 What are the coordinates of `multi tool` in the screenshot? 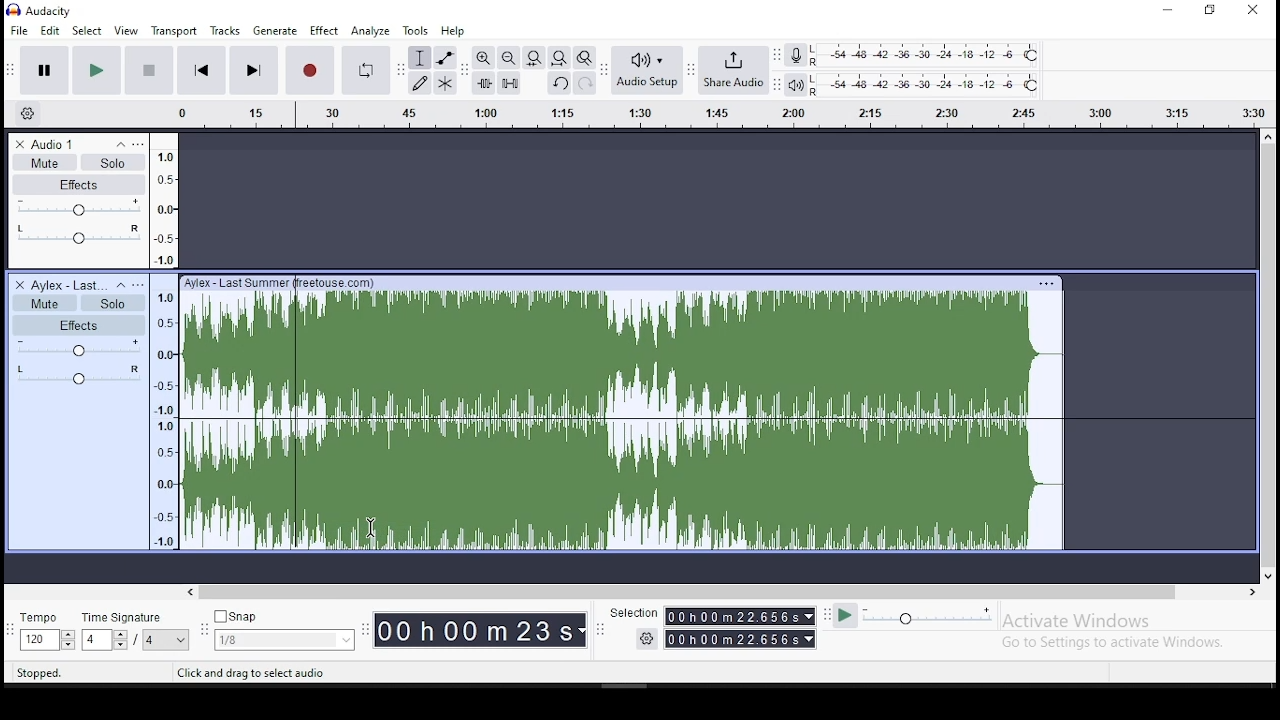 It's located at (444, 83).